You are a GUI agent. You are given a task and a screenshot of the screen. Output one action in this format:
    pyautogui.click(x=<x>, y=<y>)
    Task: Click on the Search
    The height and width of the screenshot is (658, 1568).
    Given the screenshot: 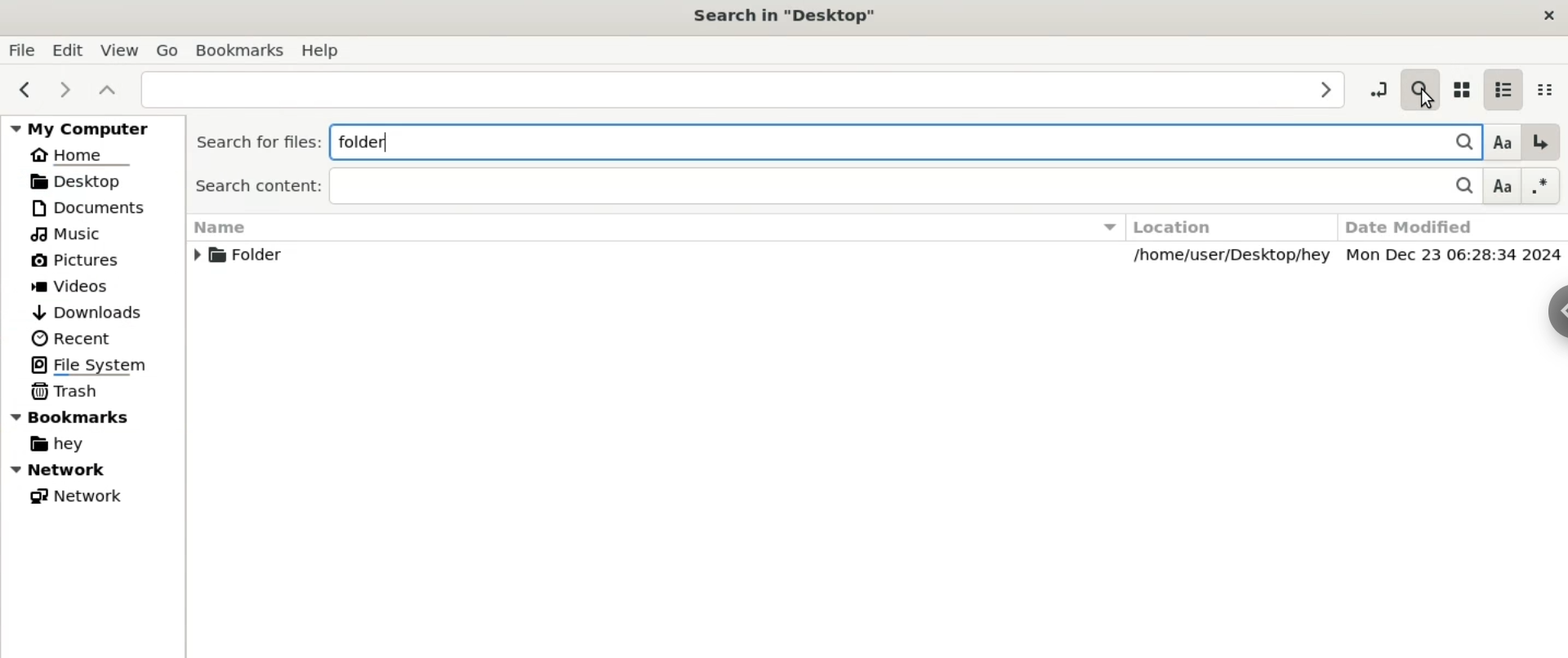 What is the action you would take?
    pyautogui.click(x=1454, y=140)
    